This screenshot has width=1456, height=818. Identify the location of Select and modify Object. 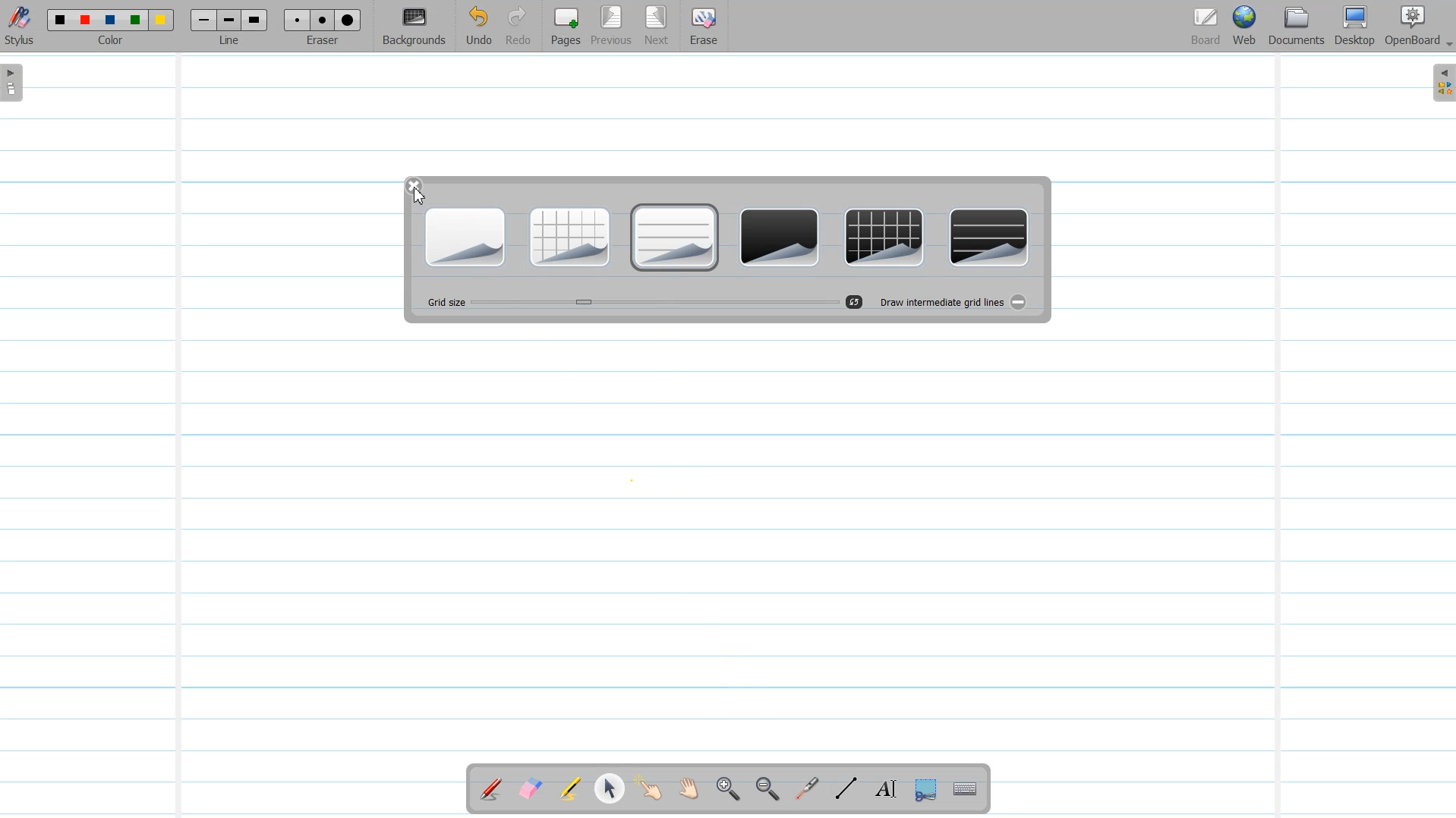
(610, 788).